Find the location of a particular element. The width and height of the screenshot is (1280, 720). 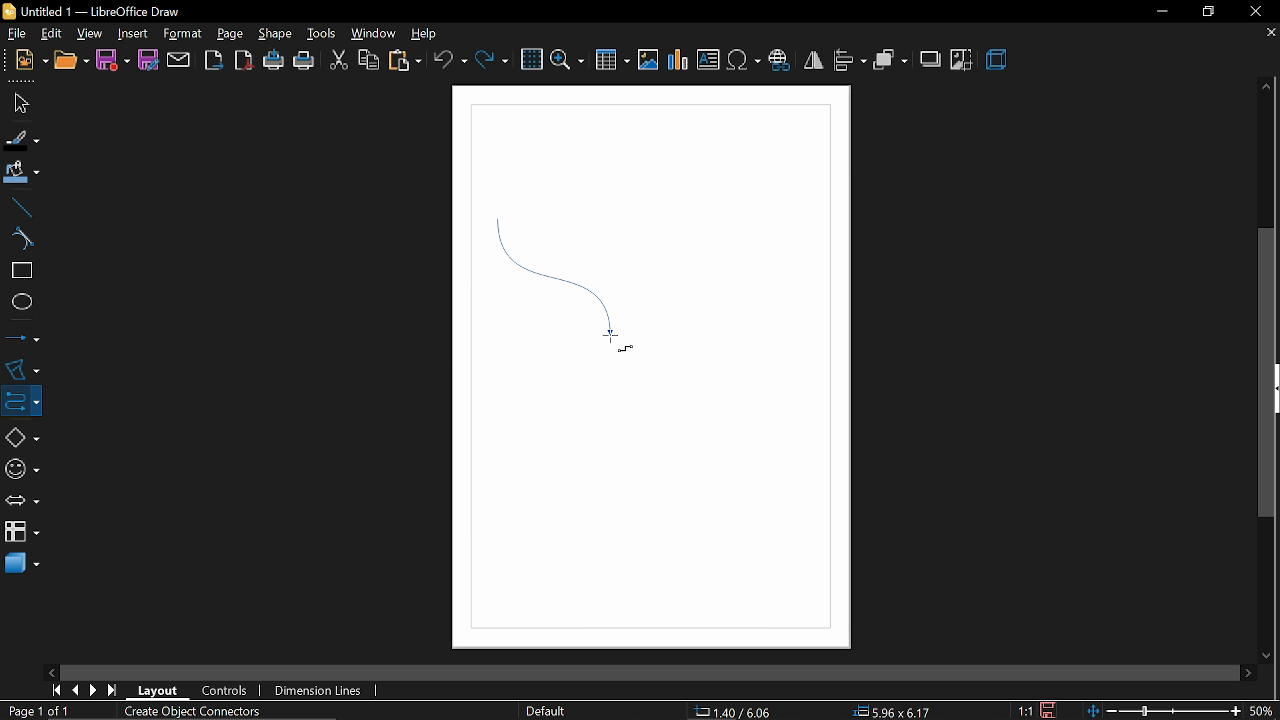

3d effect is located at coordinates (997, 62).